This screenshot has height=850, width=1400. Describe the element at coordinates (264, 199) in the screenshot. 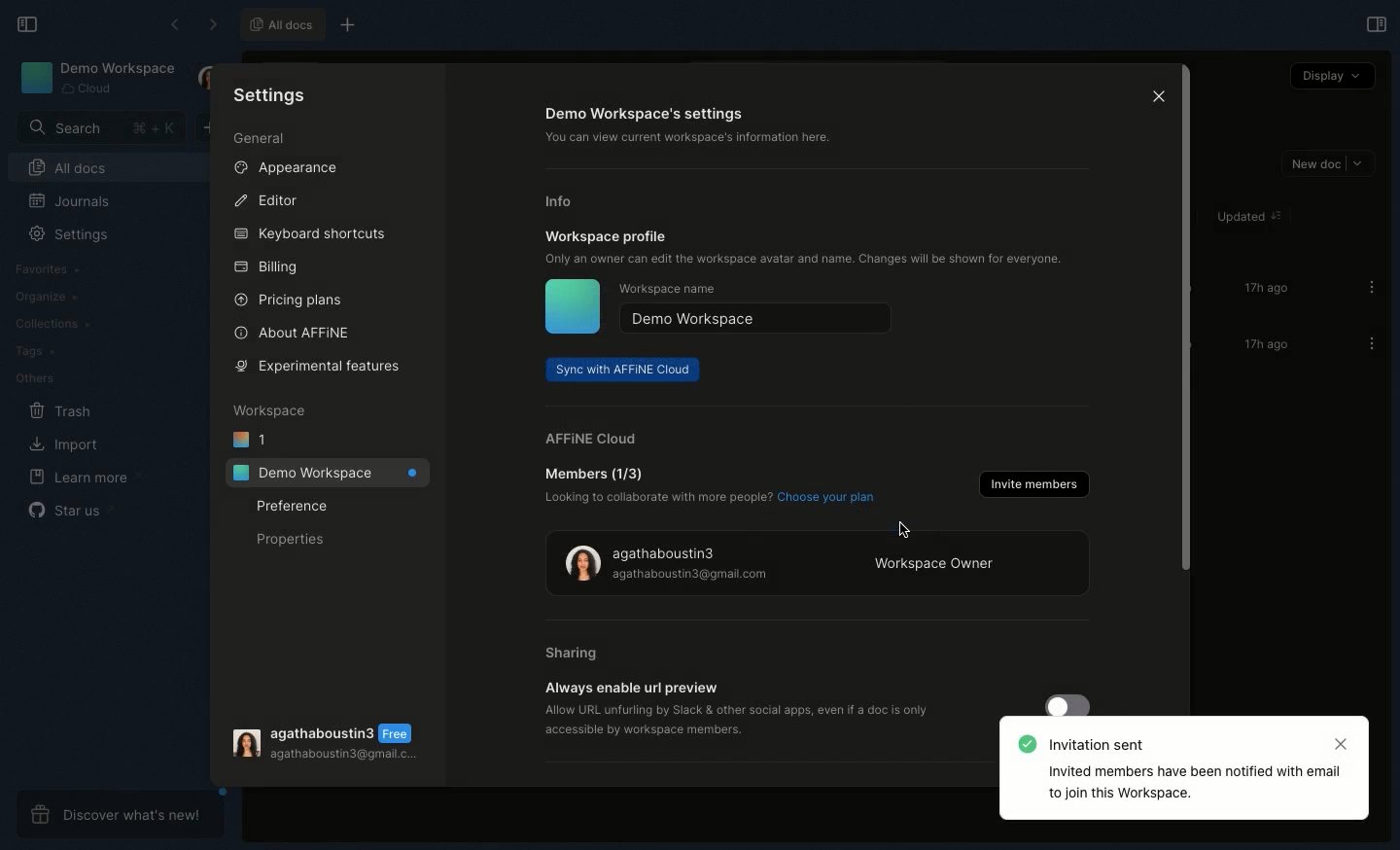

I see `Editor` at that location.